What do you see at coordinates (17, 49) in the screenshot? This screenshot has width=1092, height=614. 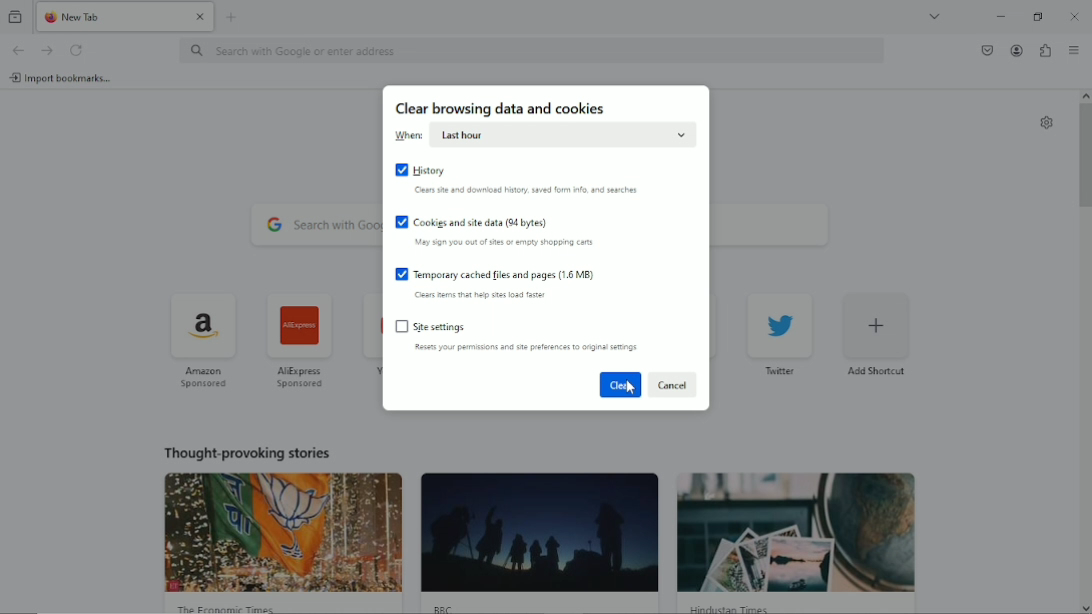 I see `go back` at bounding box center [17, 49].